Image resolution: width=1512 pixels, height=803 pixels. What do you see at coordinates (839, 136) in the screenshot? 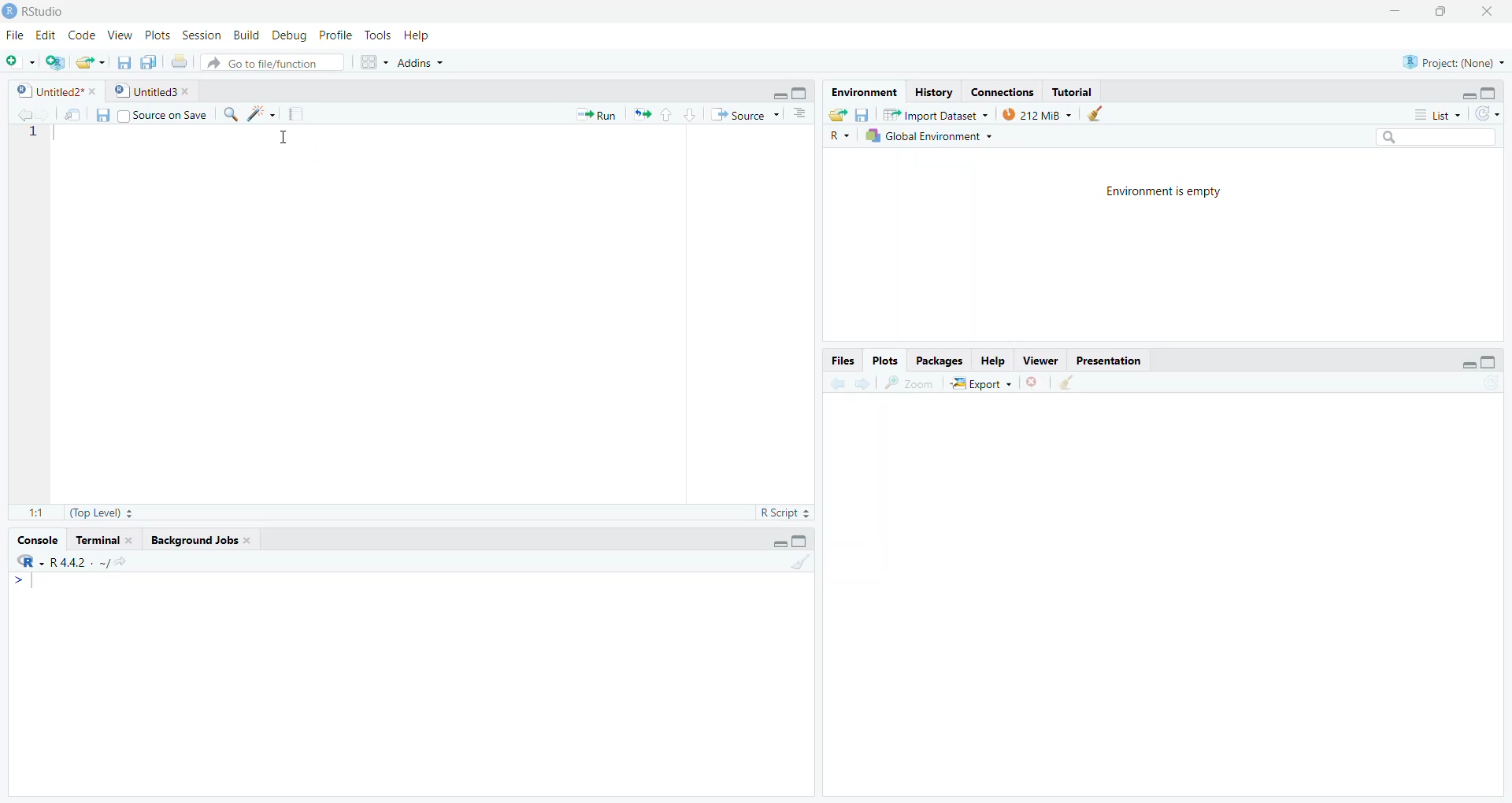
I see `R` at bounding box center [839, 136].